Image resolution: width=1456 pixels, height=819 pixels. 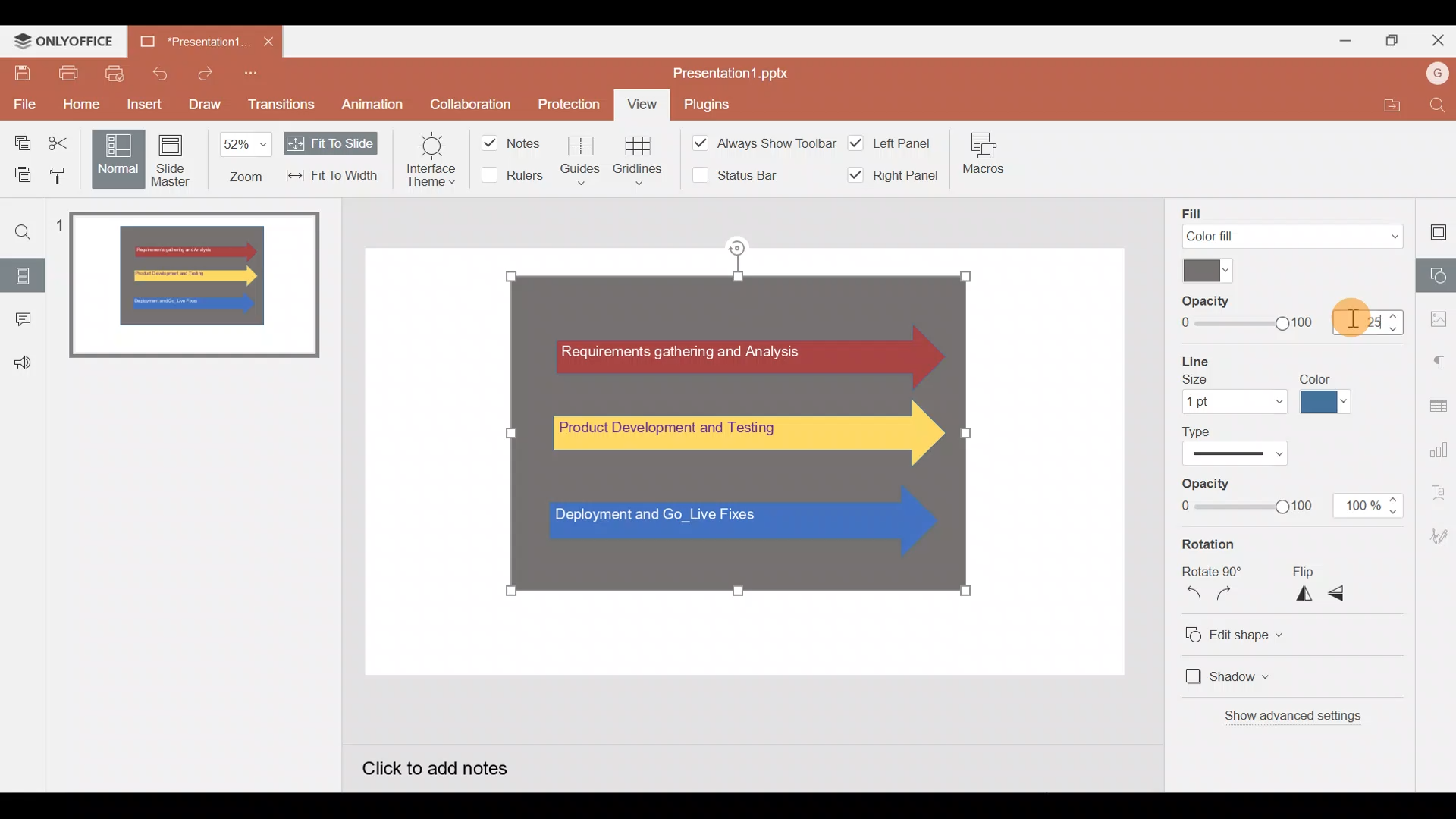 I want to click on Fit to width, so click(x=333, y=177).